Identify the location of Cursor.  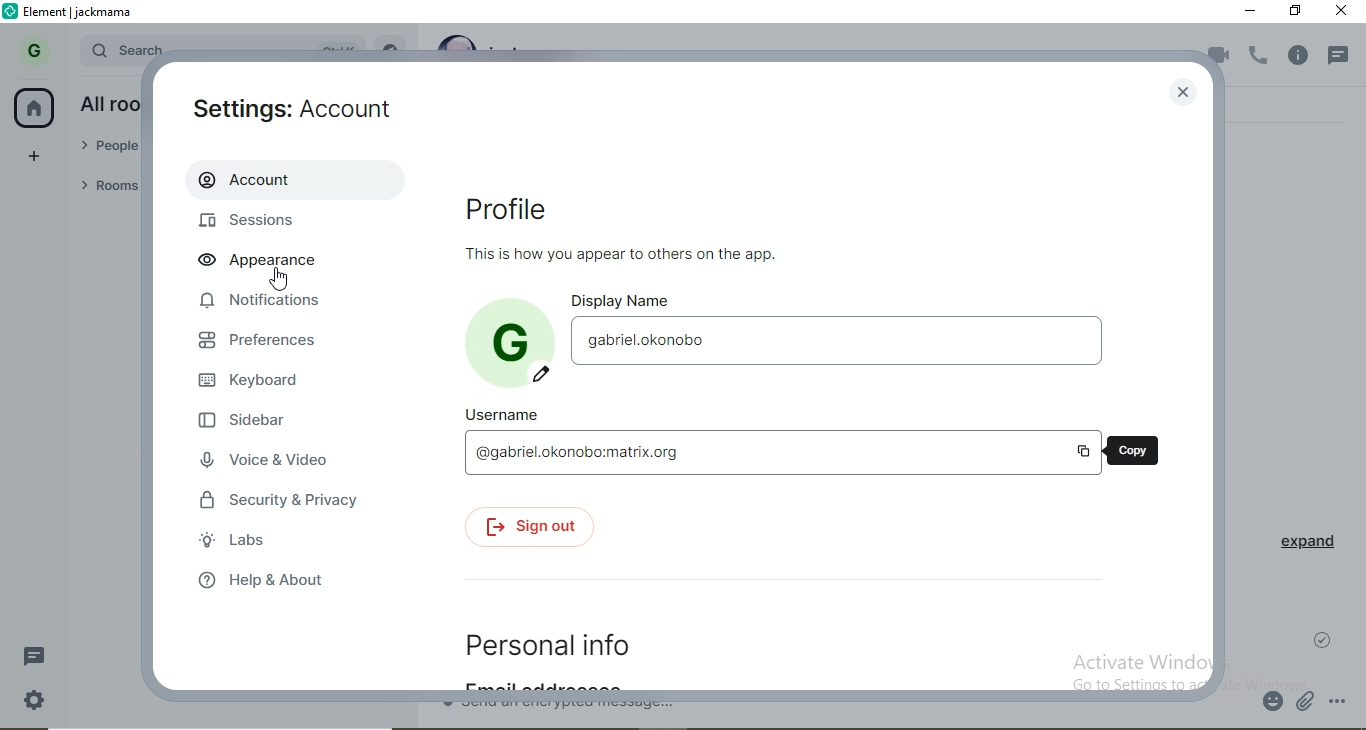
(277, 281).